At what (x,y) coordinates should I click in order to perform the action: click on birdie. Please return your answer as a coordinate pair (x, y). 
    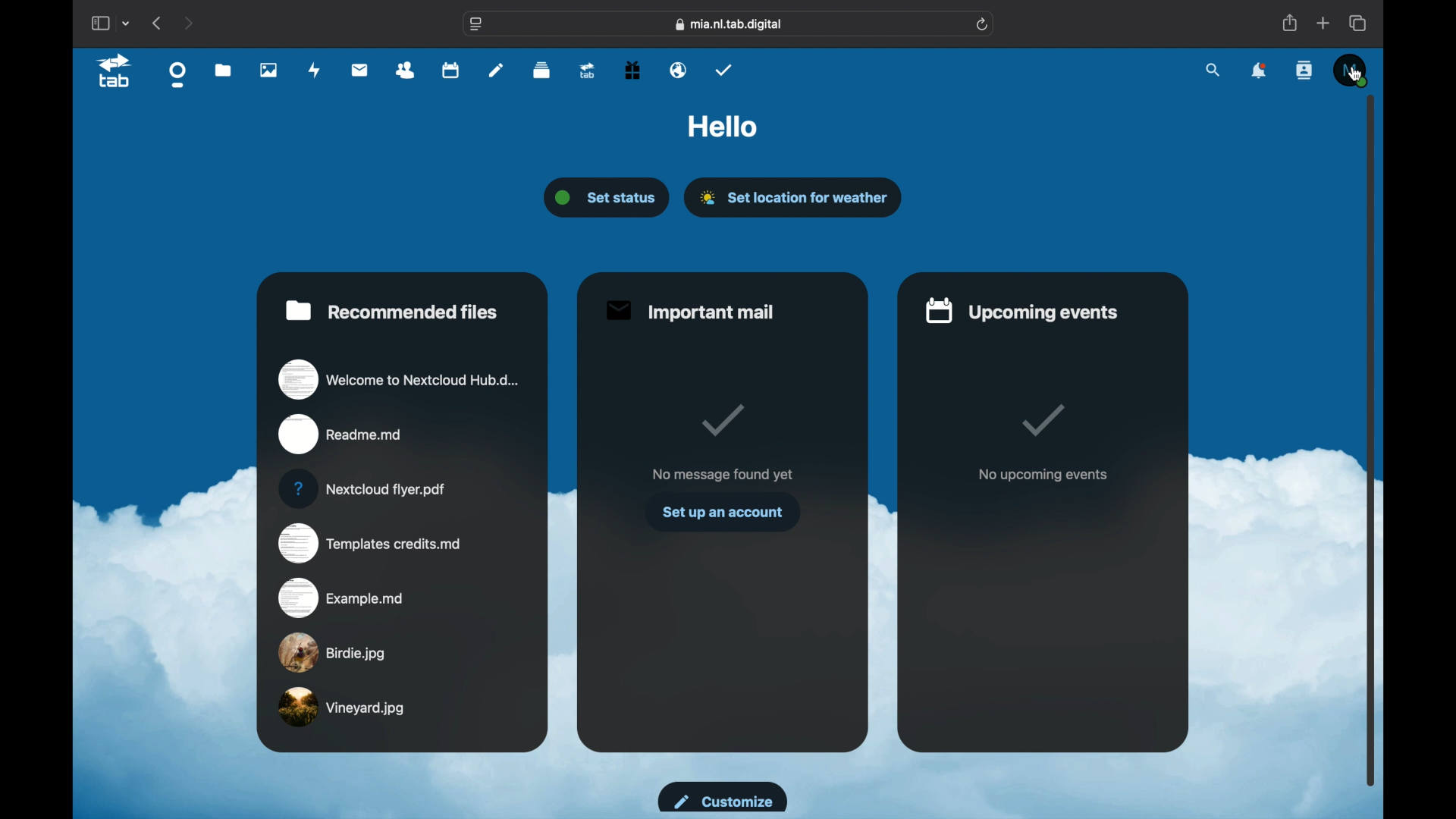
    Looking at the image, I should click on (332, 652).